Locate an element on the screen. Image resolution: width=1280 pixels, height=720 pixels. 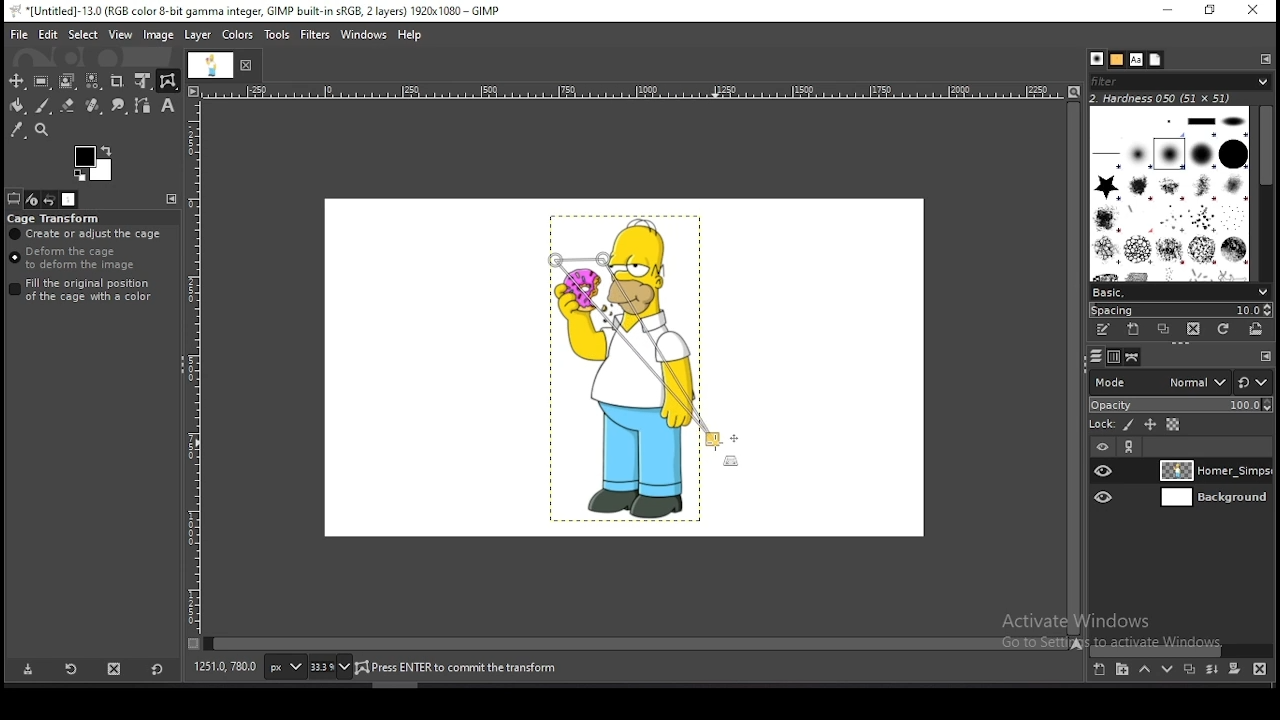
image is located at coordinates (160, 37).